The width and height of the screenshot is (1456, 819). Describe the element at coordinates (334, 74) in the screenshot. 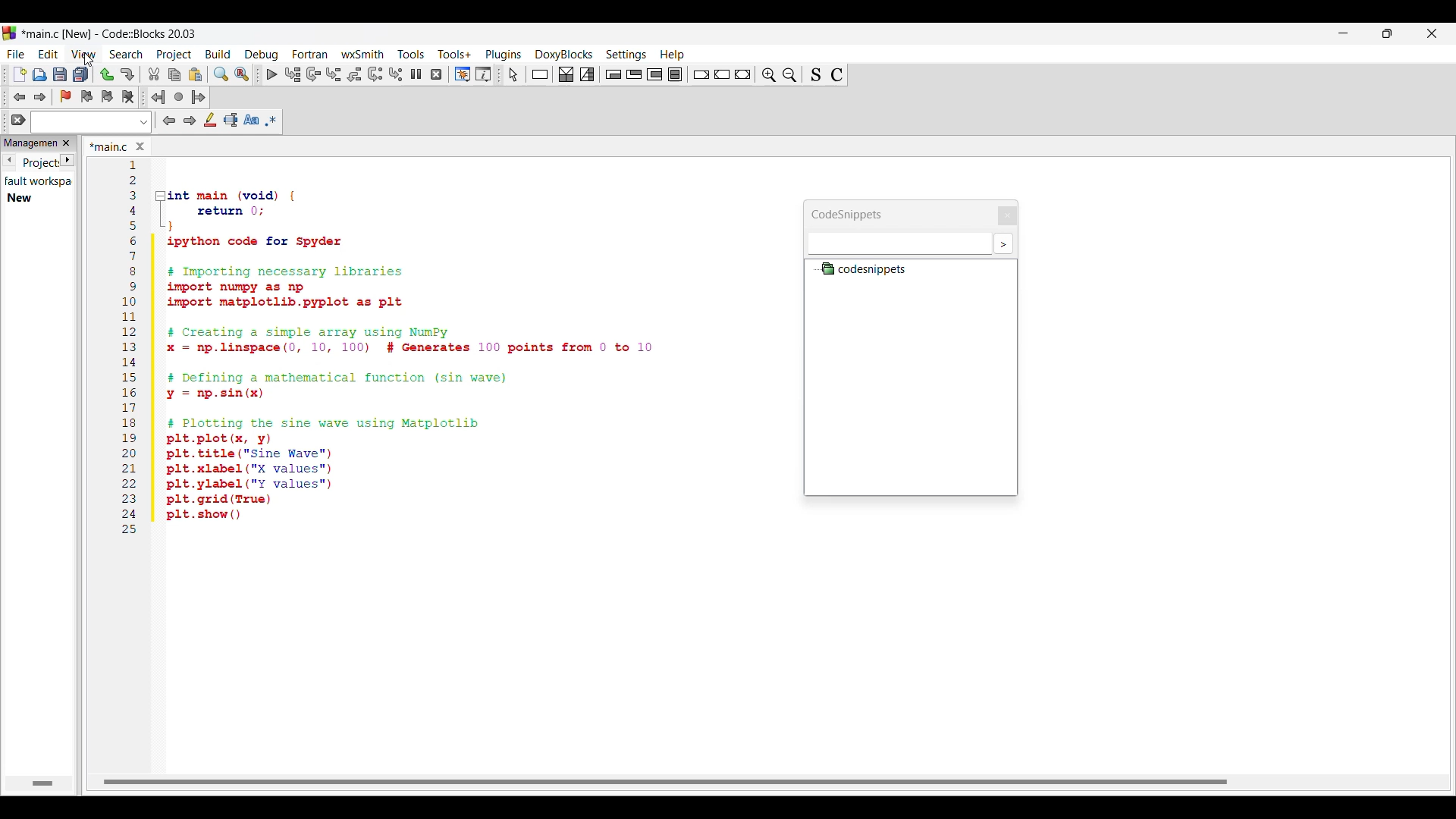

I see `Step into` at that location.